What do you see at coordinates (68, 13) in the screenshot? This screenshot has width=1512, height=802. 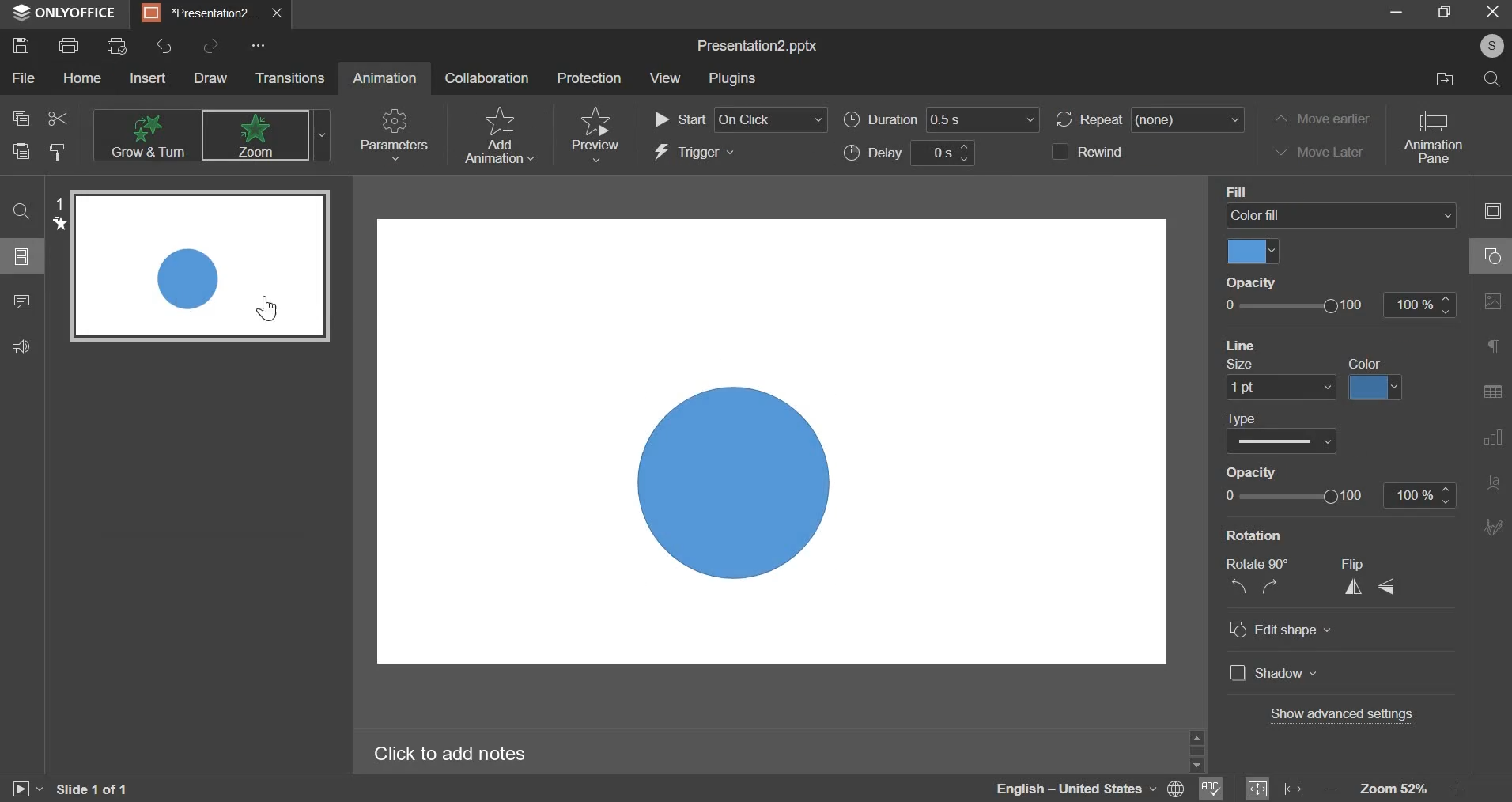 I see `ONLYOFFICE` at bounding box center [68, 13].